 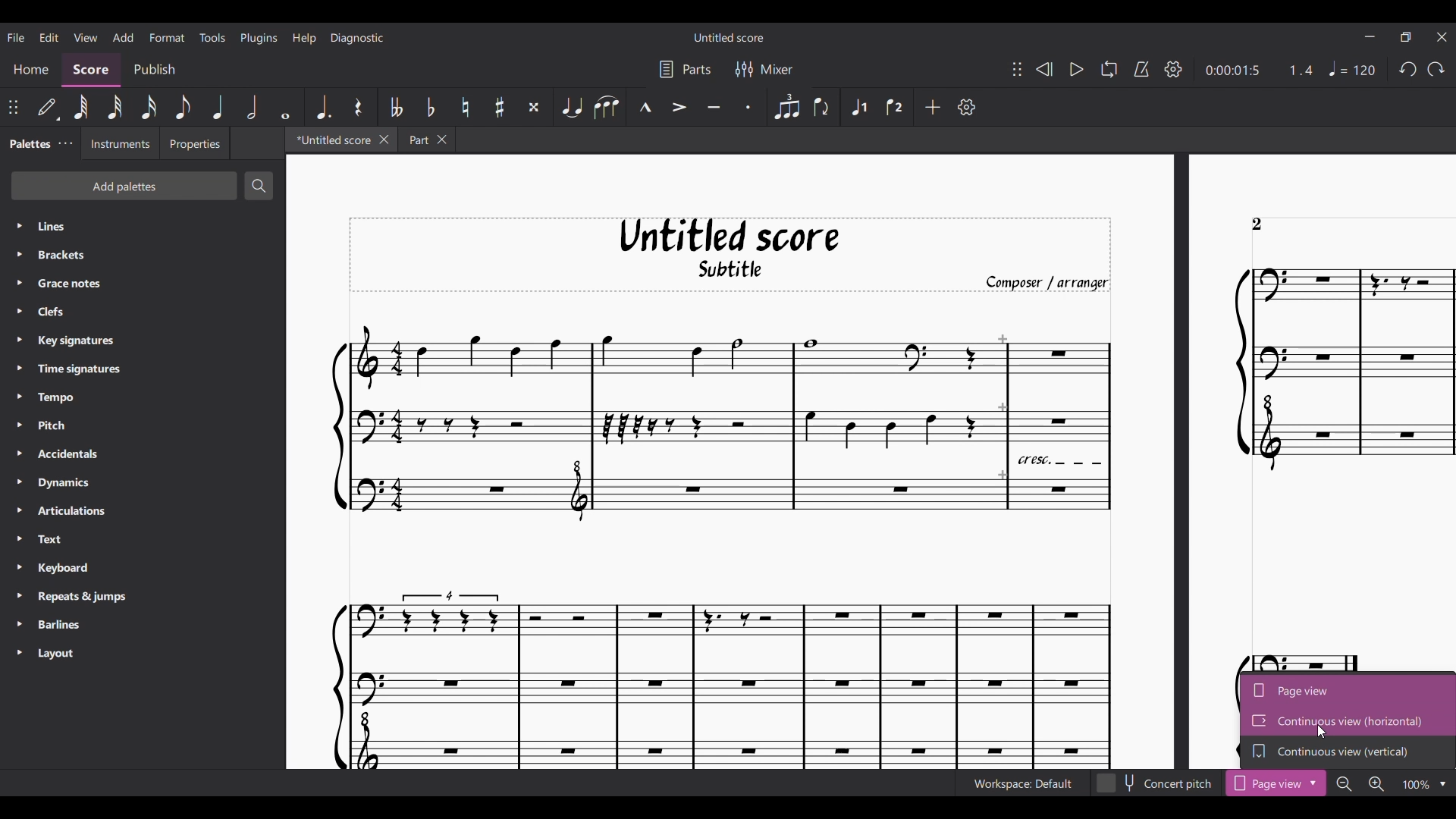 What do you see at coordinates (1416, 786) in the screenshot?
I see `Zoom factor` at bounding box center [1416, 786].